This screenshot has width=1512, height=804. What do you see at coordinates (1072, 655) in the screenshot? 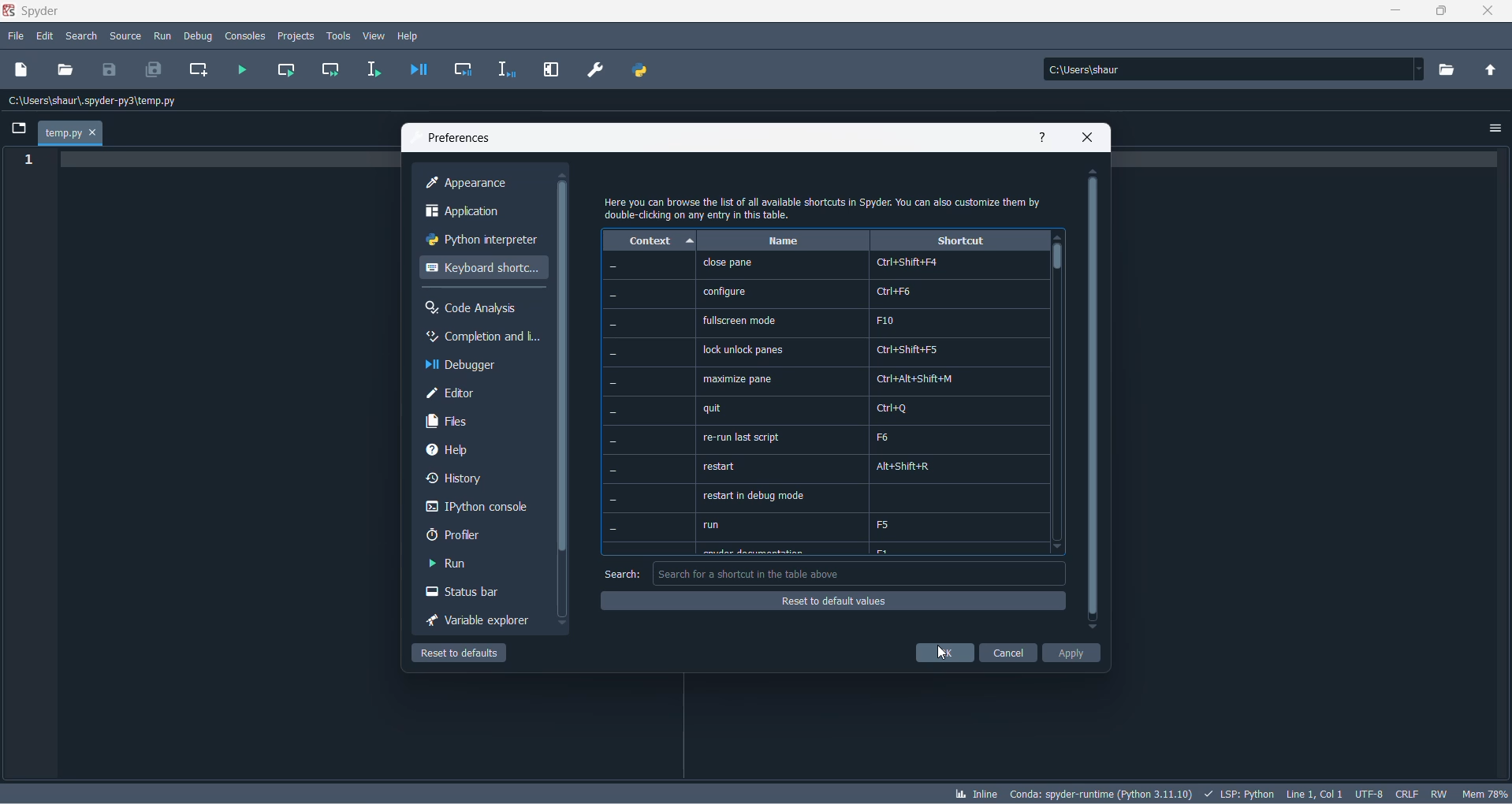
I see `apply` at bounding box center [1072, 655].